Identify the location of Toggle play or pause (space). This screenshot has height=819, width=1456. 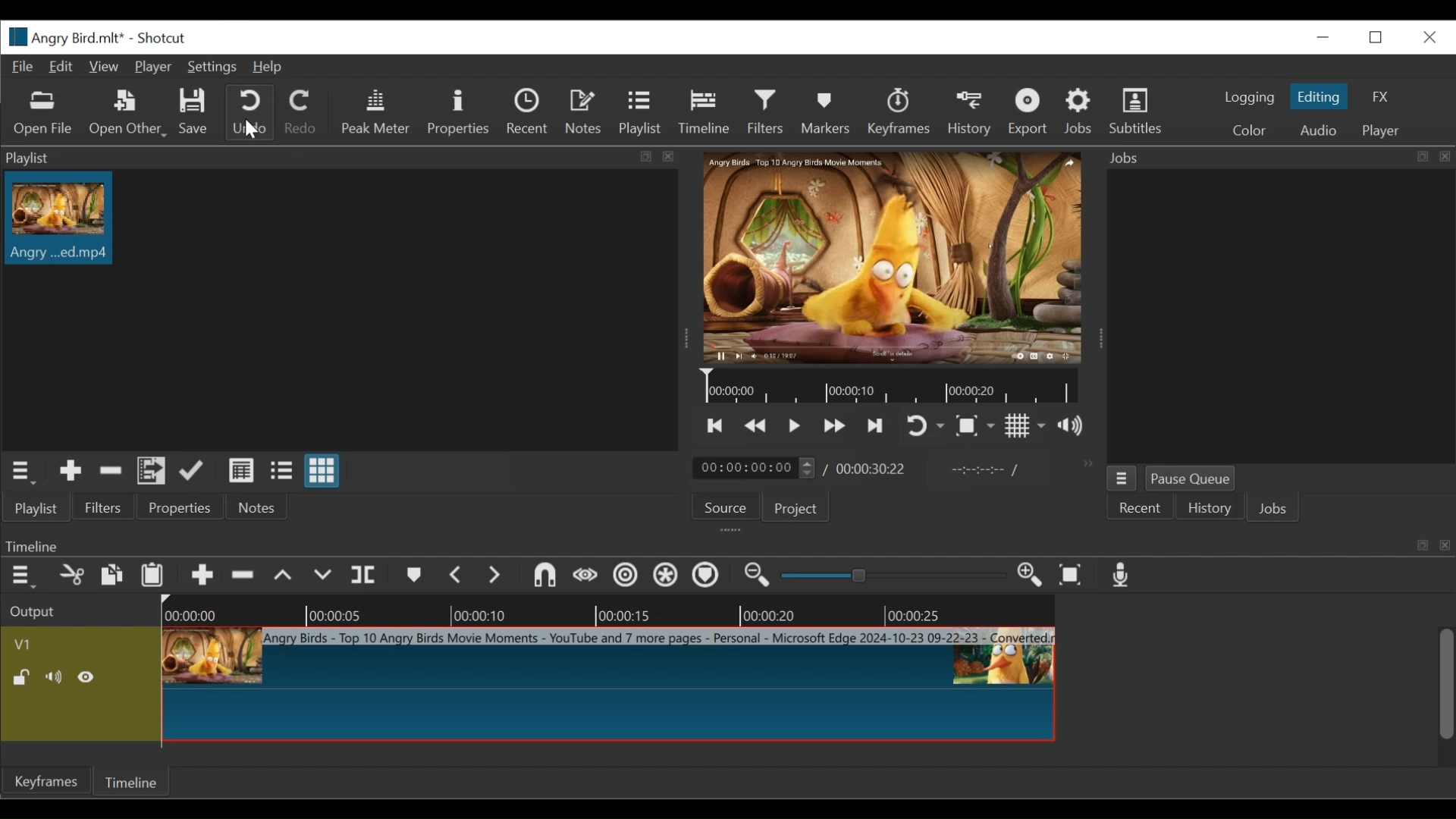
(794, 426).